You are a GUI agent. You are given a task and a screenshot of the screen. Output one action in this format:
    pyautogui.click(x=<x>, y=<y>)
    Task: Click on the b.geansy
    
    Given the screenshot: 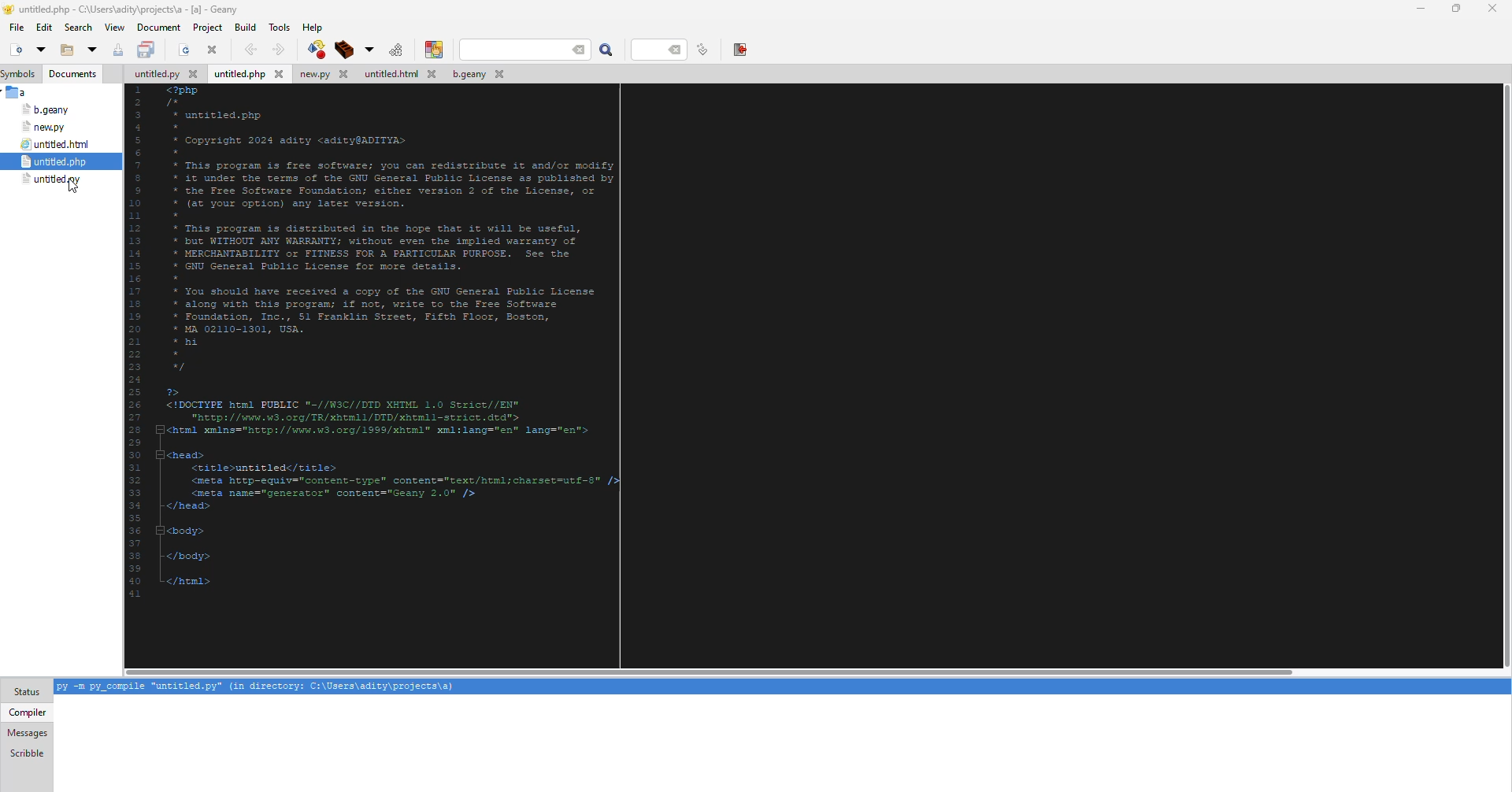 What is the action you would take?
    pyautogui.click(x=44, y=109)
    